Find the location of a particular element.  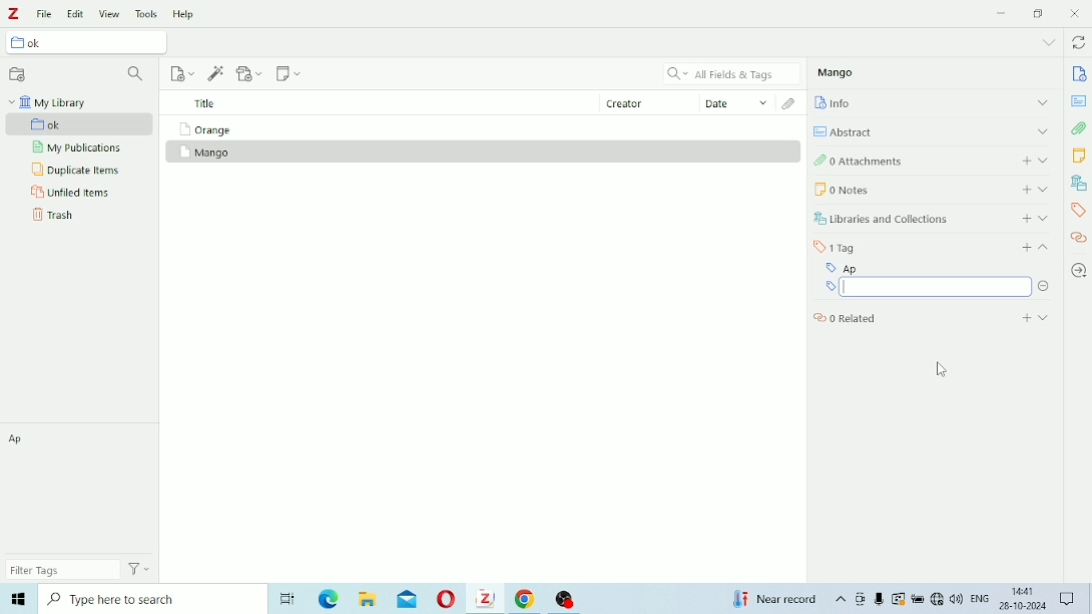

ENG is located at coordinates (983, 597).